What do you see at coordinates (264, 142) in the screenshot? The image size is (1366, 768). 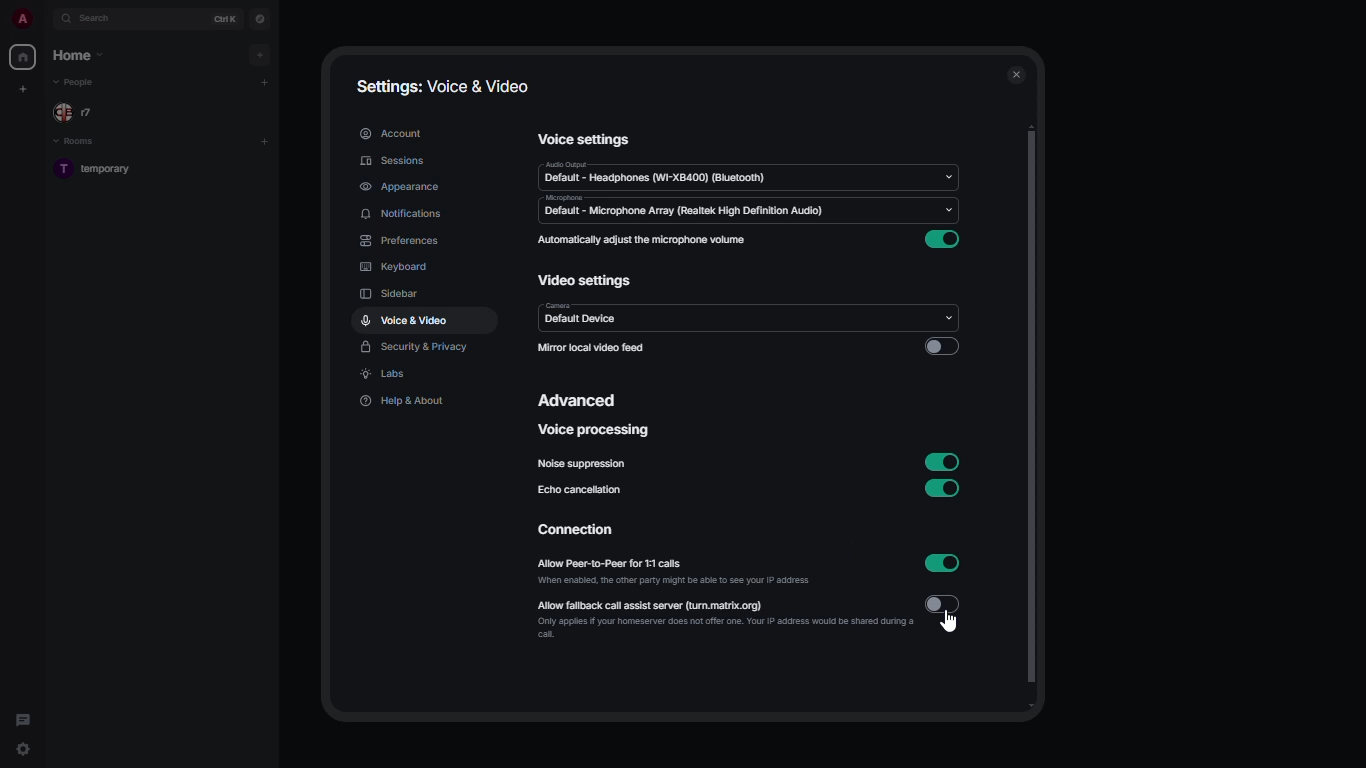 I see `add` at bounding box center [264, 142].